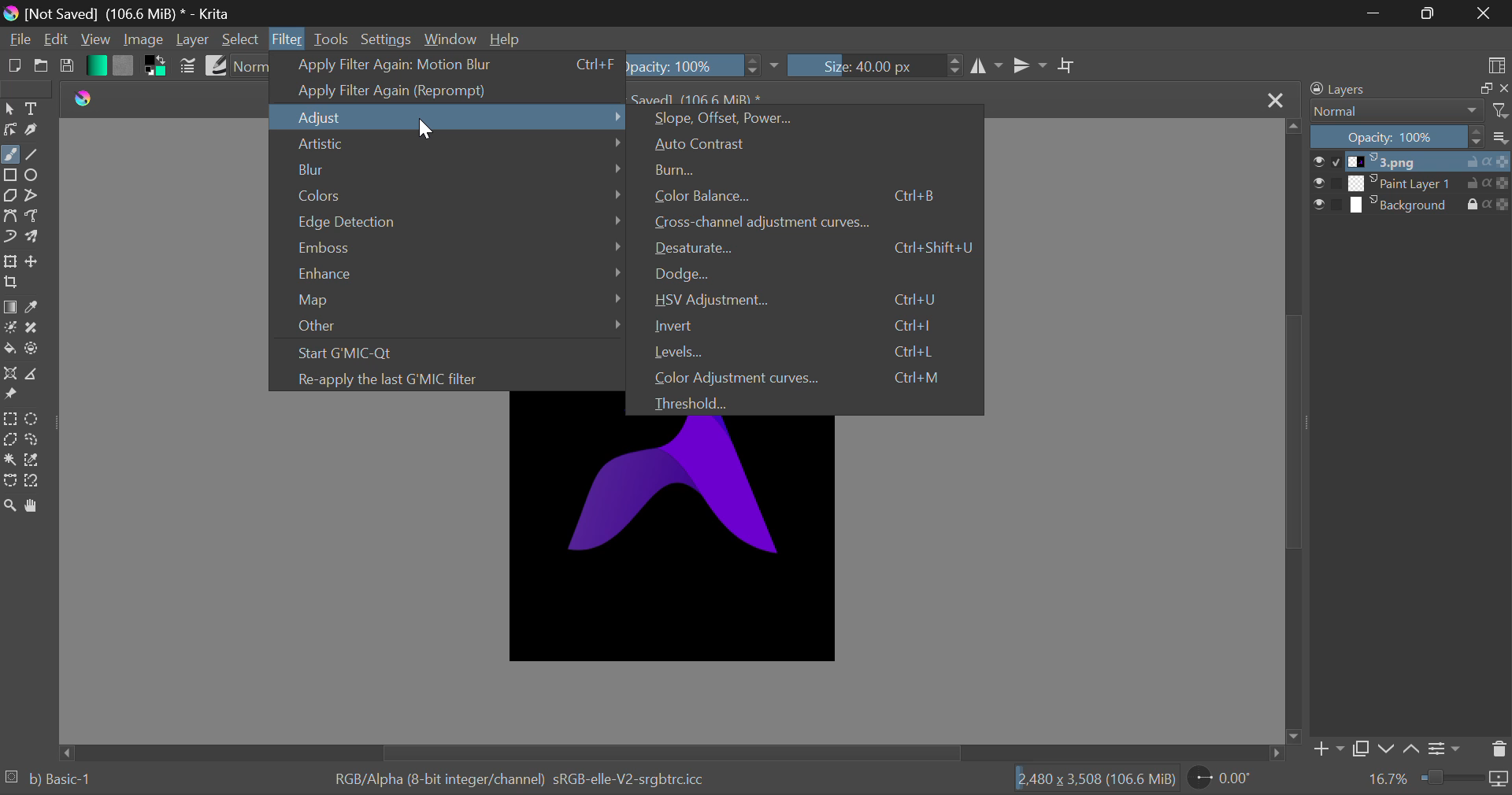 The height and width of the screenshot is (795, 1512). Describe the element at coordinates (671, 543) in the screenshot. I see `image in workspace` at that location.